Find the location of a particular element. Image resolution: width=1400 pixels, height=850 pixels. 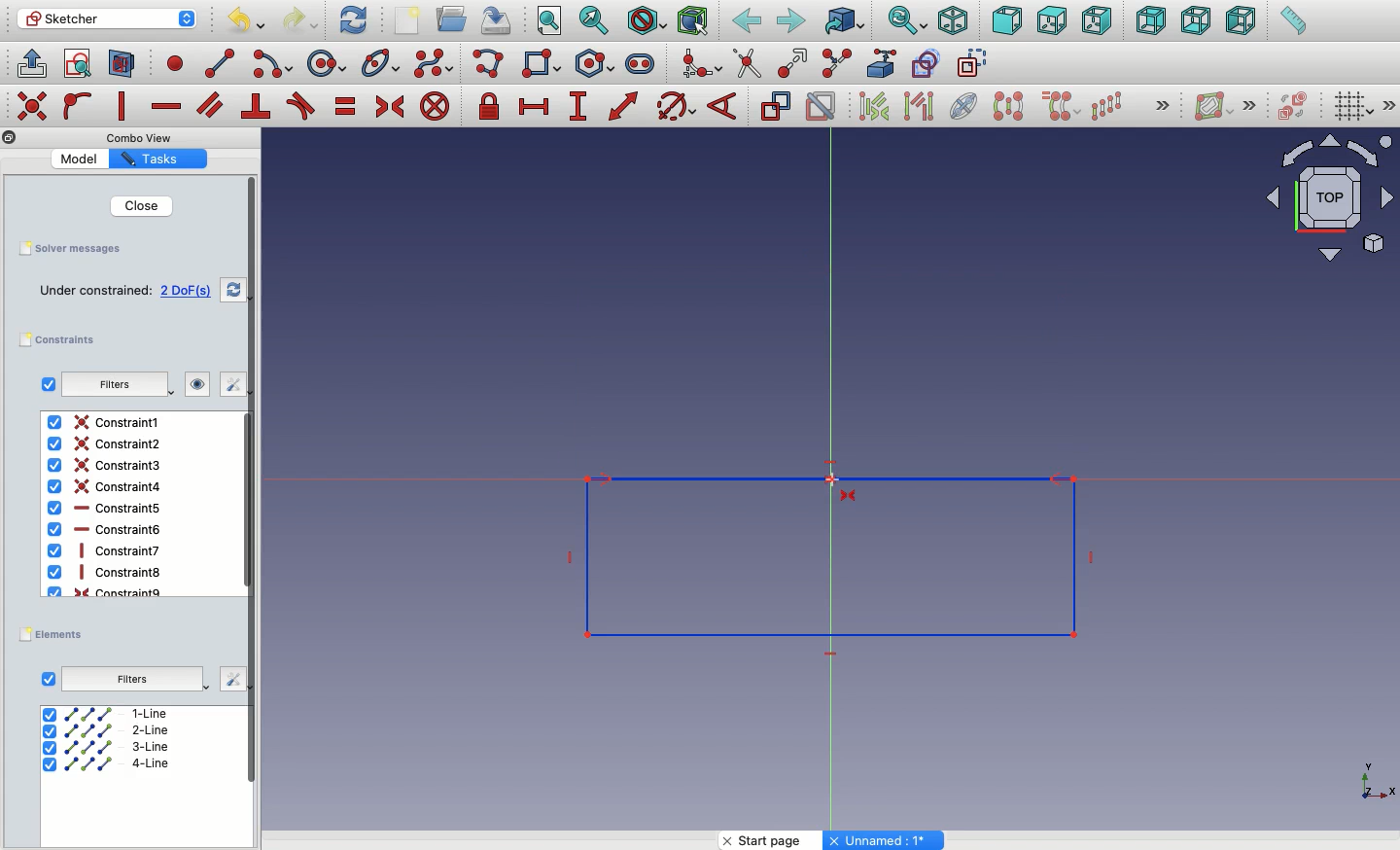

Combo View is located at coordinates (140, 137).